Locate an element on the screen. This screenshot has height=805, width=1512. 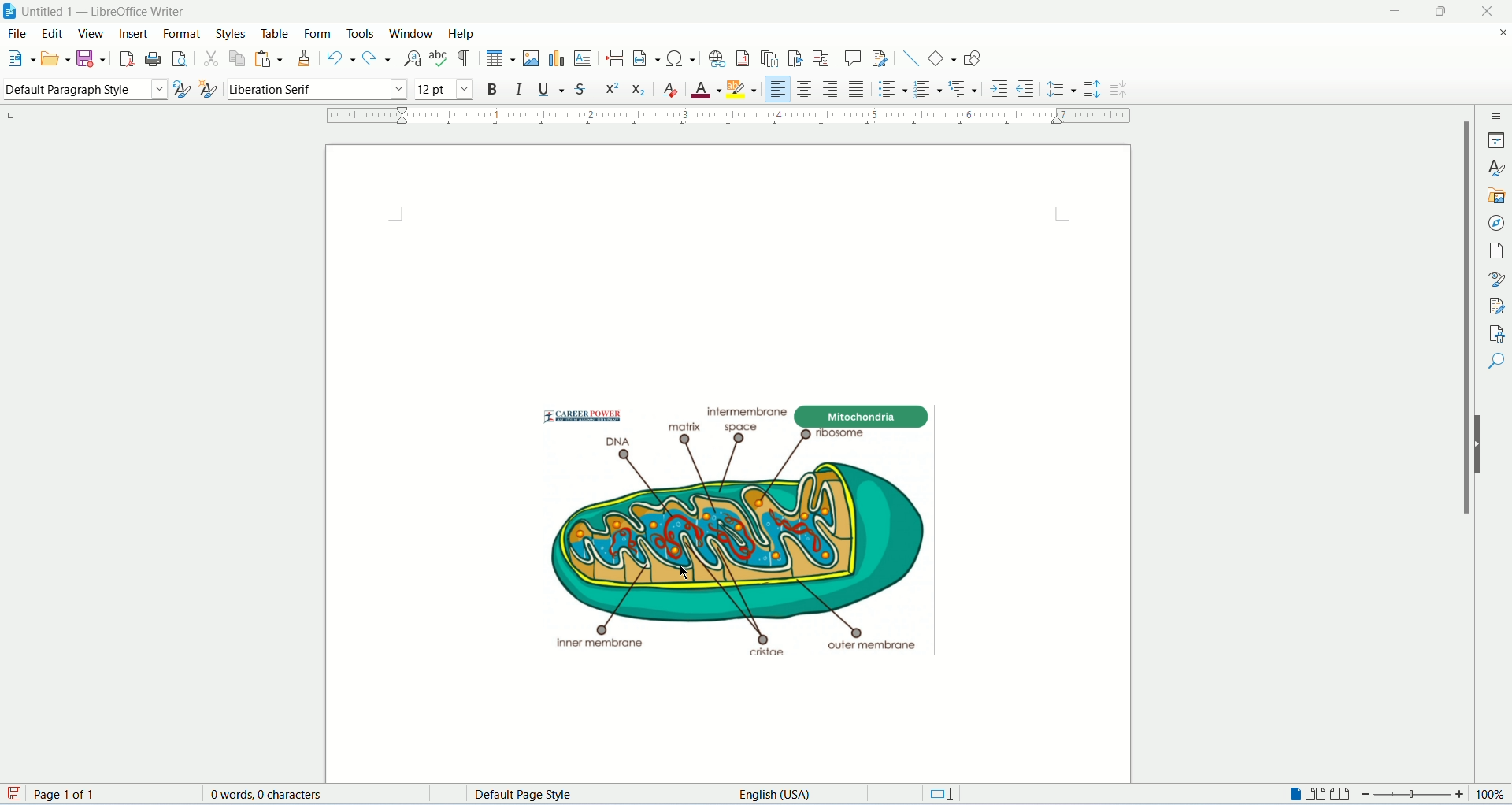
zoom bar is located at coordinates (1414, 795).